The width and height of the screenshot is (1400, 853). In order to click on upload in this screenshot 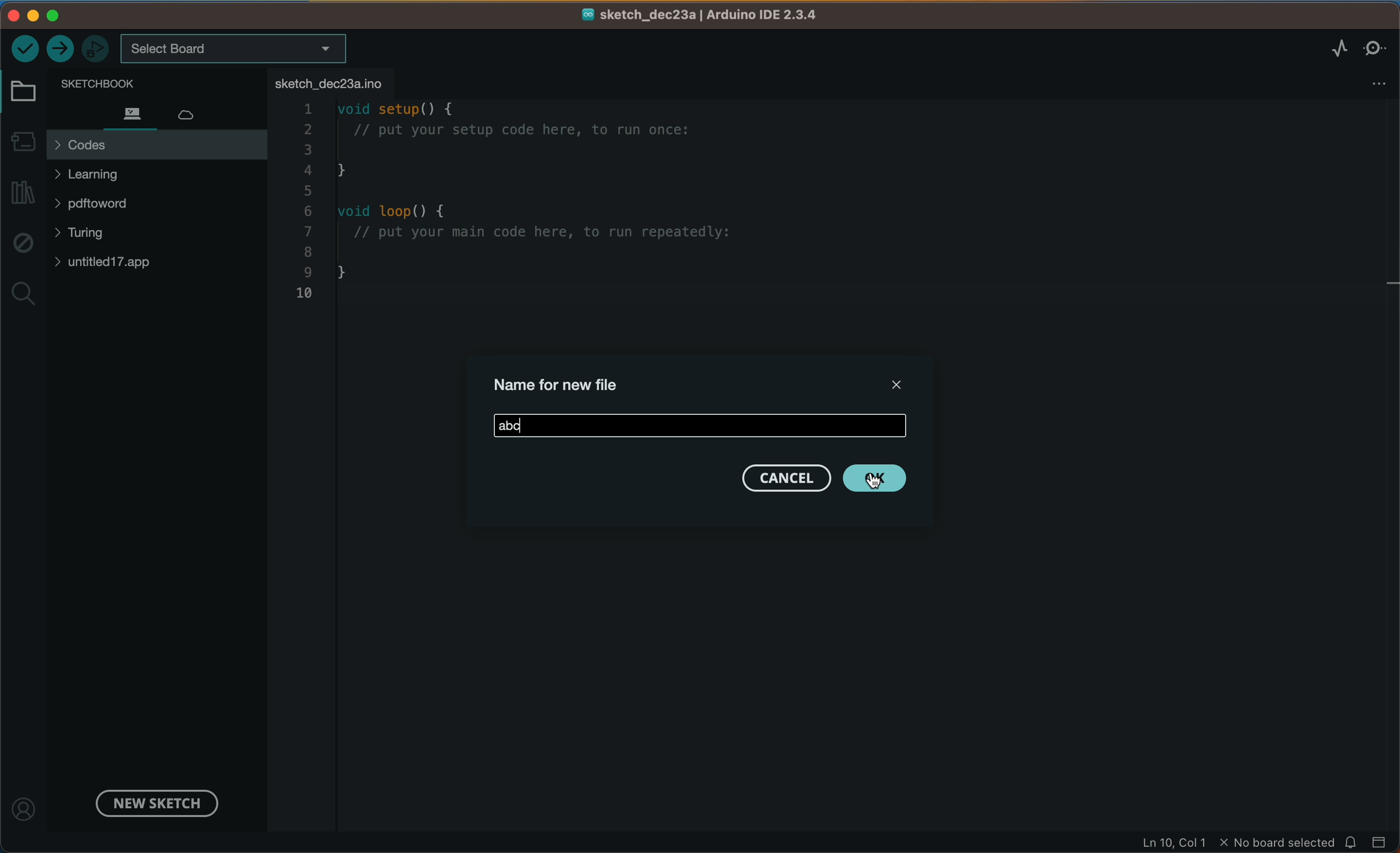, I will do `click(61, 49)`.